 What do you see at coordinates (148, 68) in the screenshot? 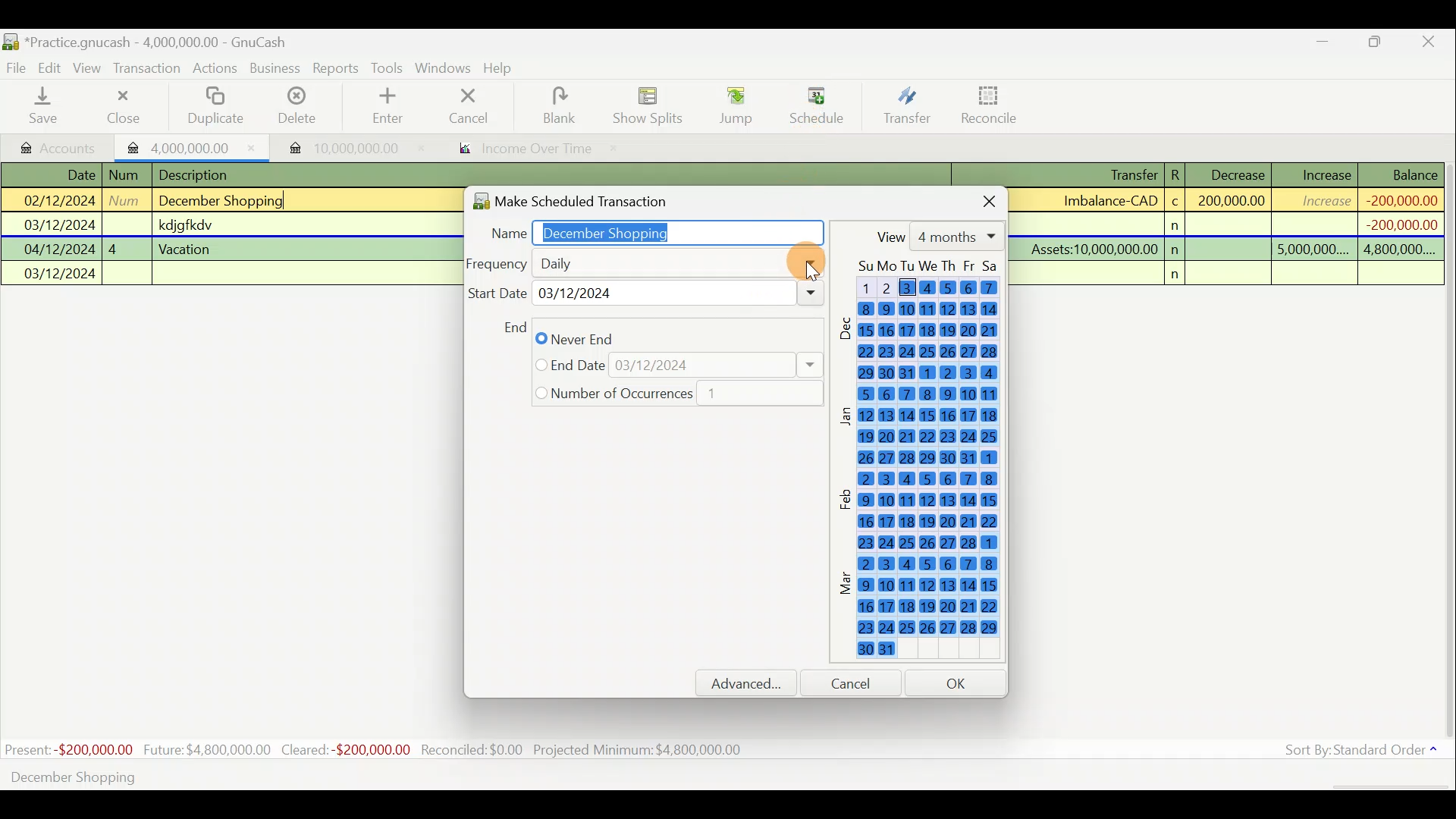
I see `Transaction` at bounding box center [148, 68].